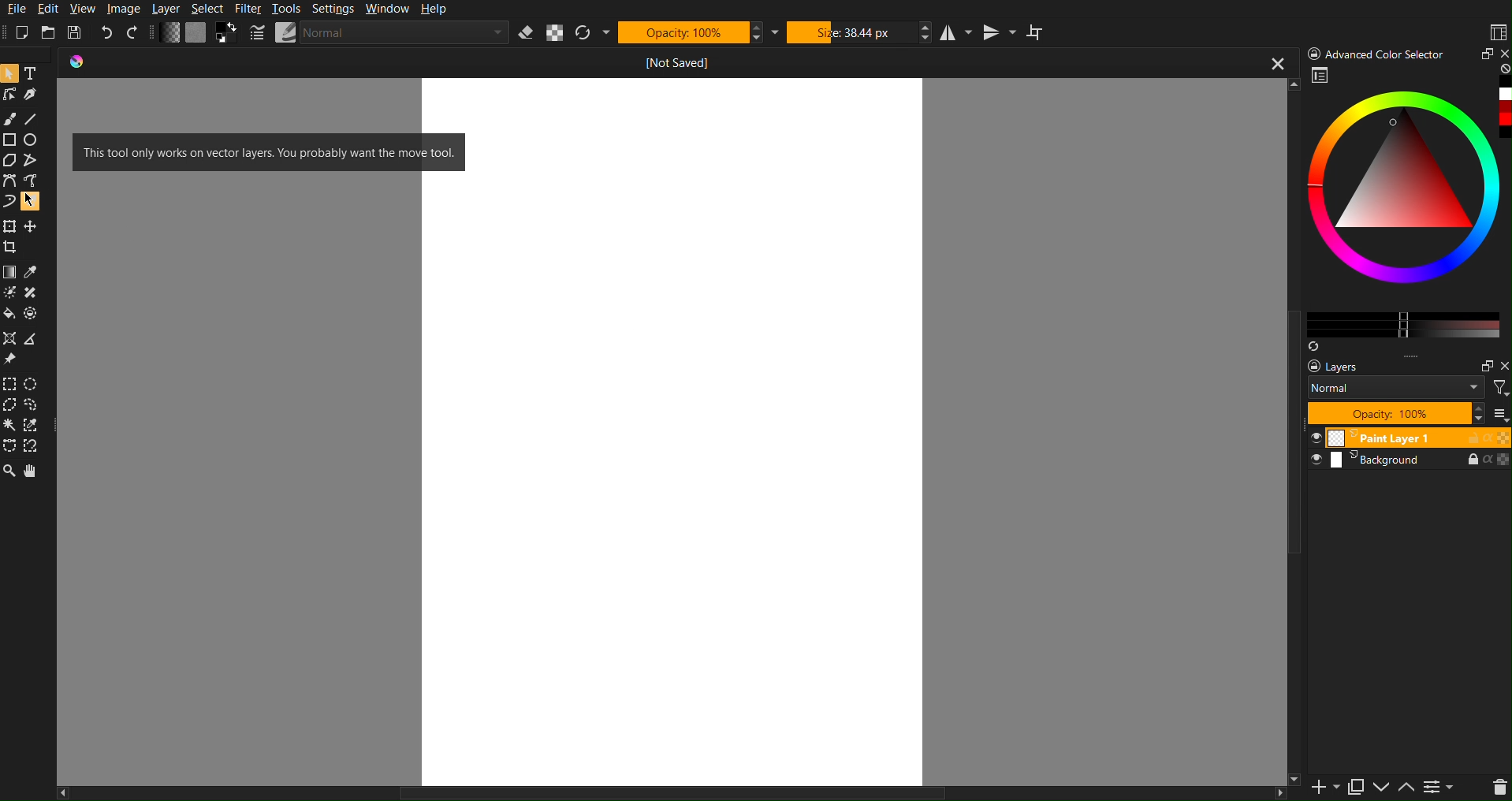  Describe the element at coordinates (74, 31) in the screenshot. I see `Save` at that location.